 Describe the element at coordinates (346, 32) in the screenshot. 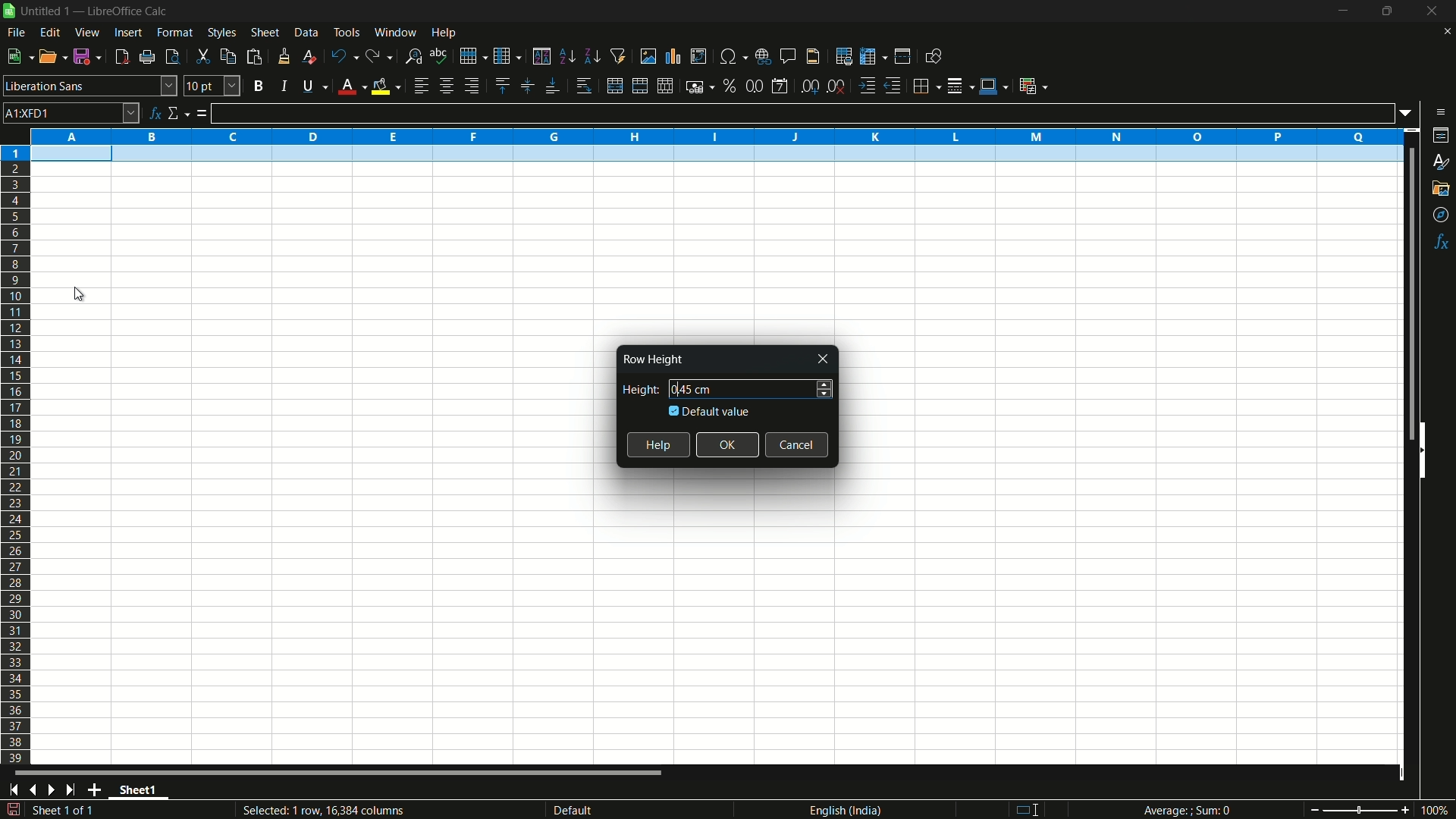

I see `tools menu` at that location.